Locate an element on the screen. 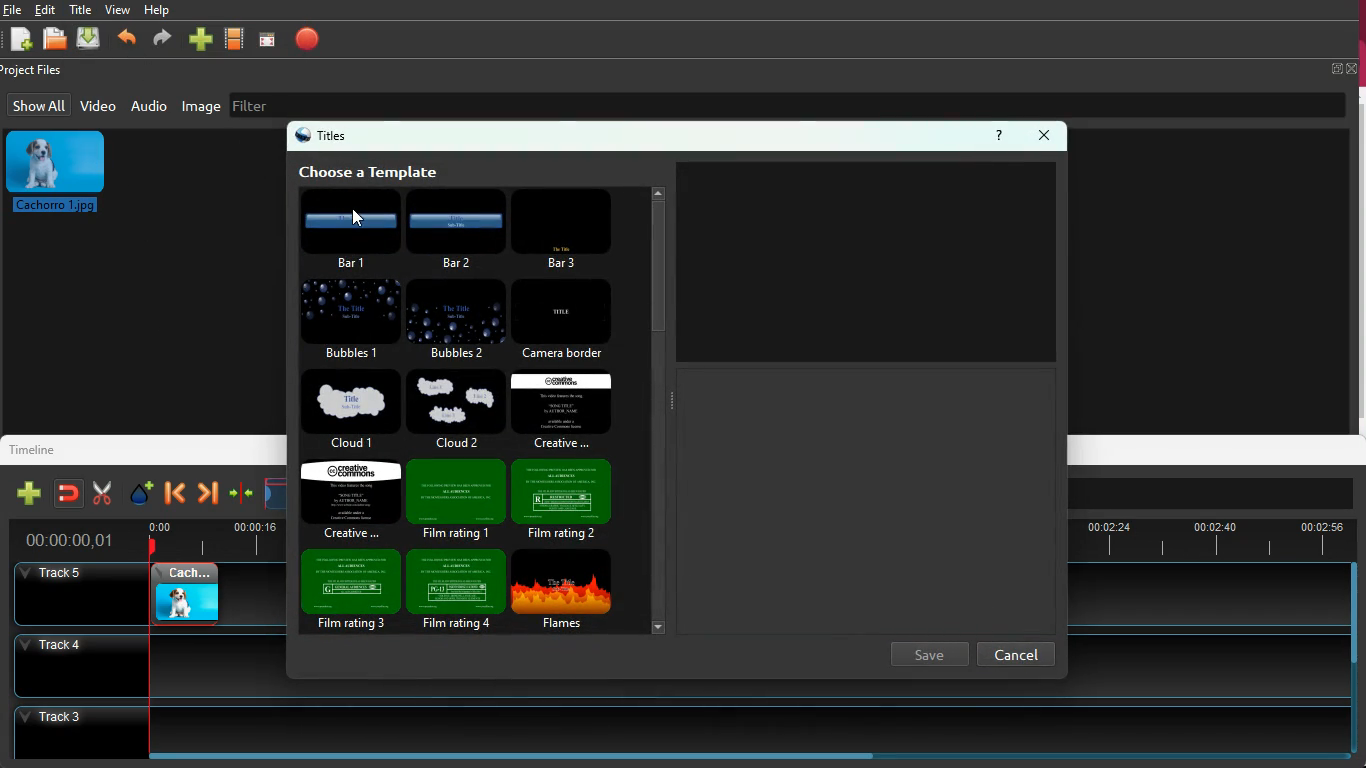 Image resolution: width=1366 pixels, height=768 pixels. save is located at coordinates (929, 652).